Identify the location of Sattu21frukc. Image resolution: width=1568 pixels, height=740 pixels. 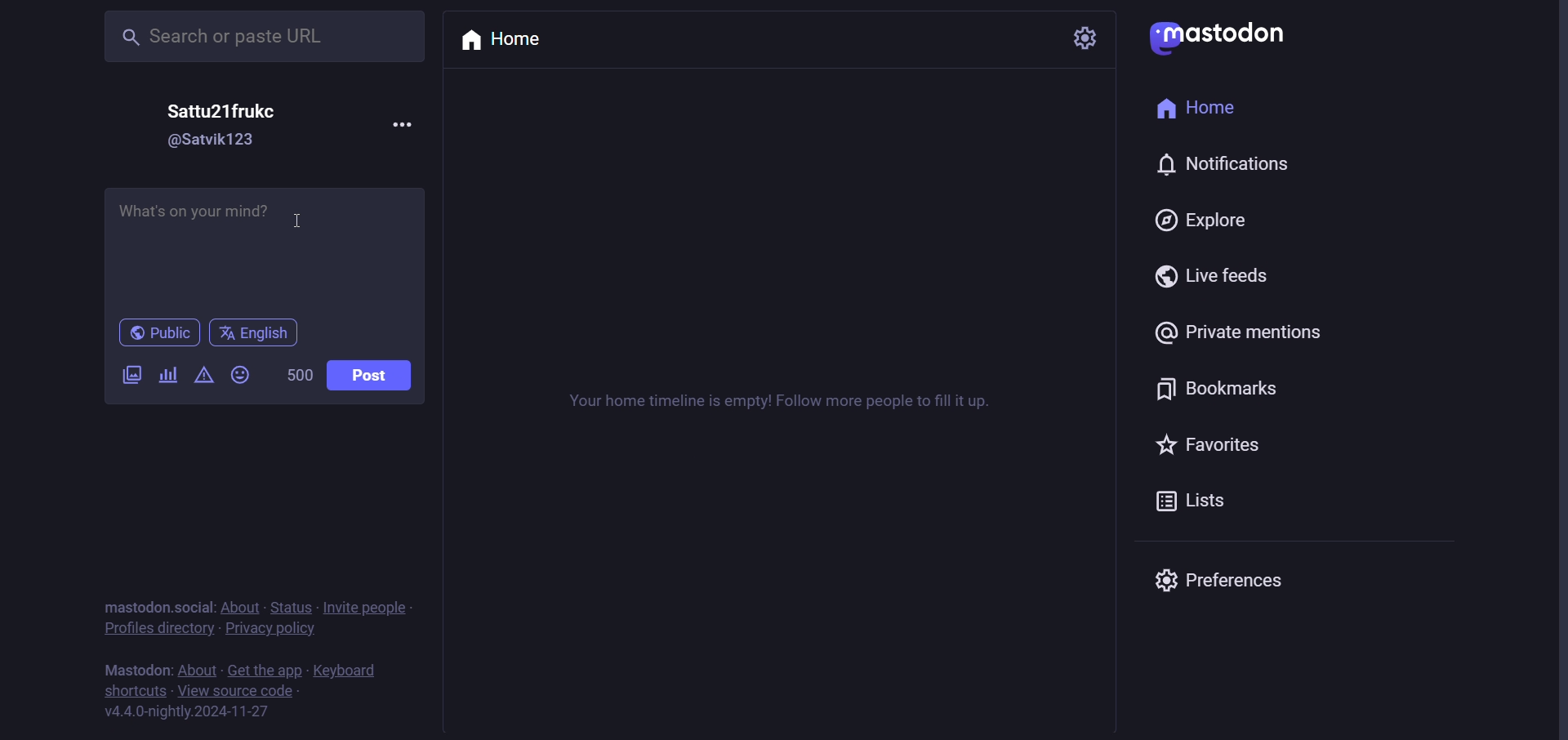
(223, 112).